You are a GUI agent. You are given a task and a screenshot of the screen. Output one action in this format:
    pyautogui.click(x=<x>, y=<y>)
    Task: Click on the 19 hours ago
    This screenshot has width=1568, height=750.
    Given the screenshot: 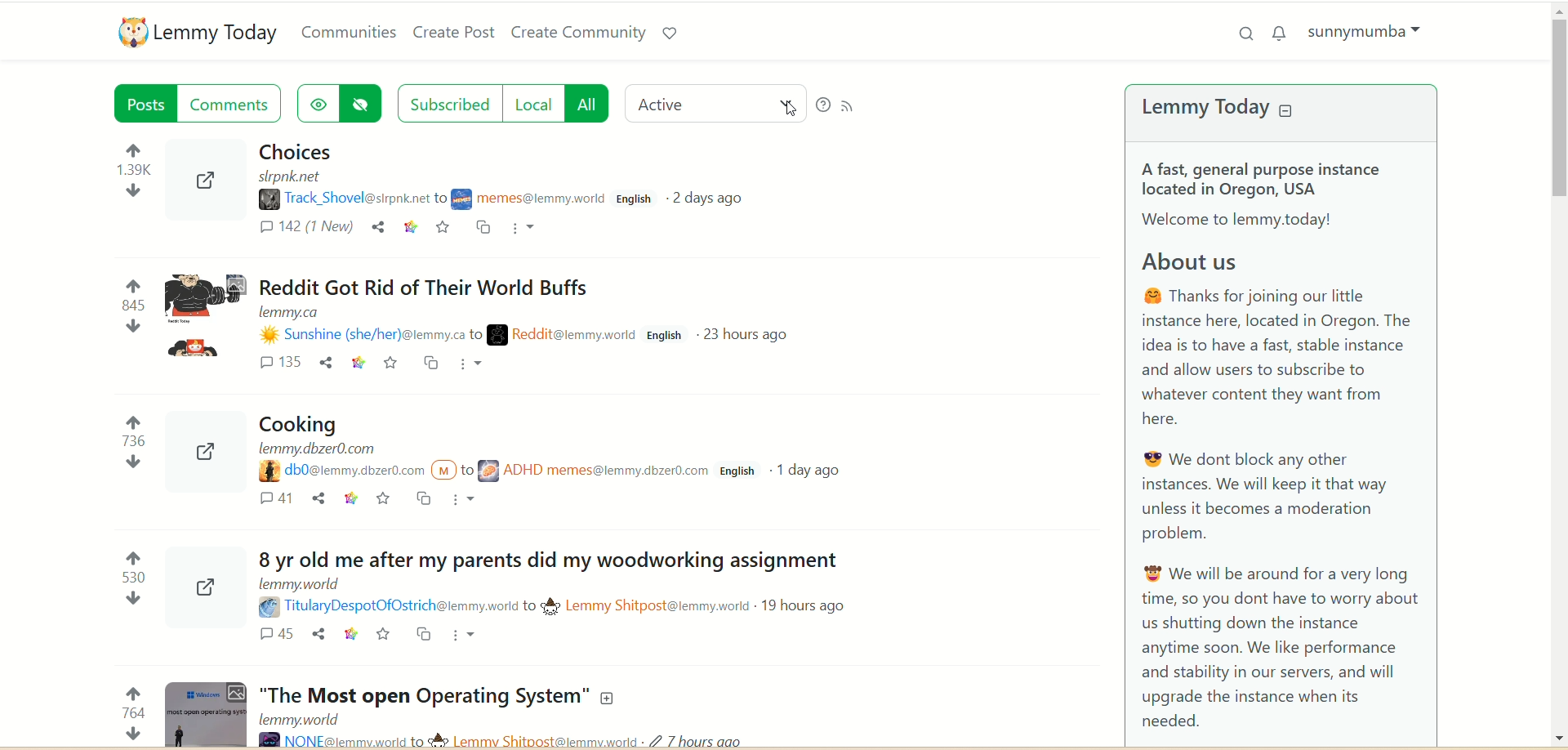 What is the action you would take?
    pyautogui.click(x=795, y=607)
    